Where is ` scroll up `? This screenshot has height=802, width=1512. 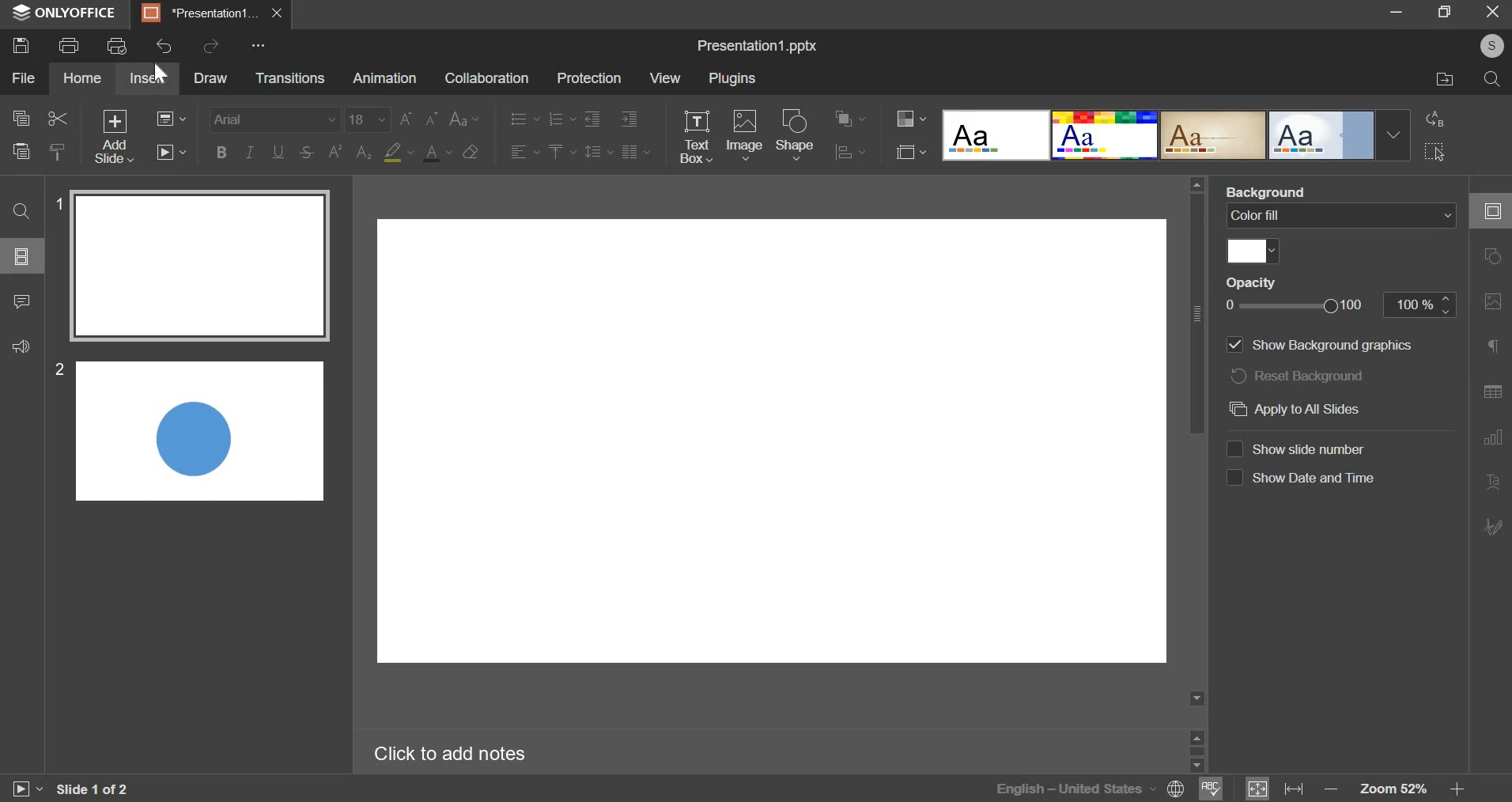  scroll up  is located at coordinates (1197, 736).